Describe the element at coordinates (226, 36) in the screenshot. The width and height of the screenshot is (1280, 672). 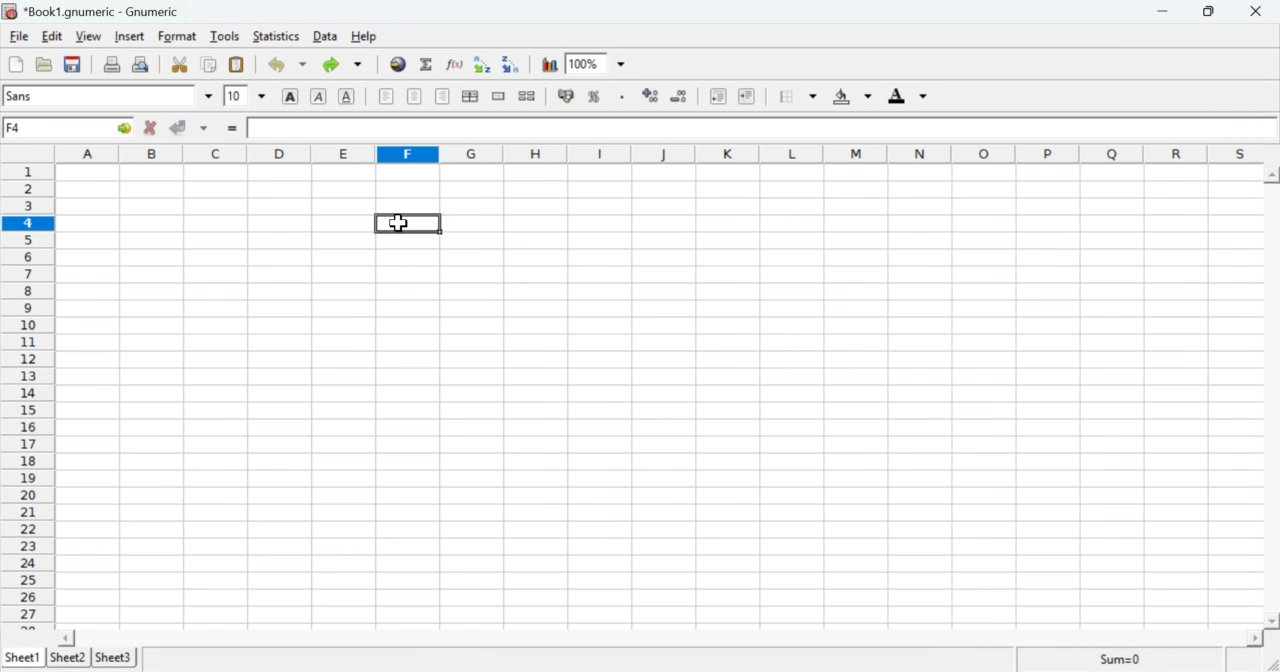
I see `Tools` at that location.